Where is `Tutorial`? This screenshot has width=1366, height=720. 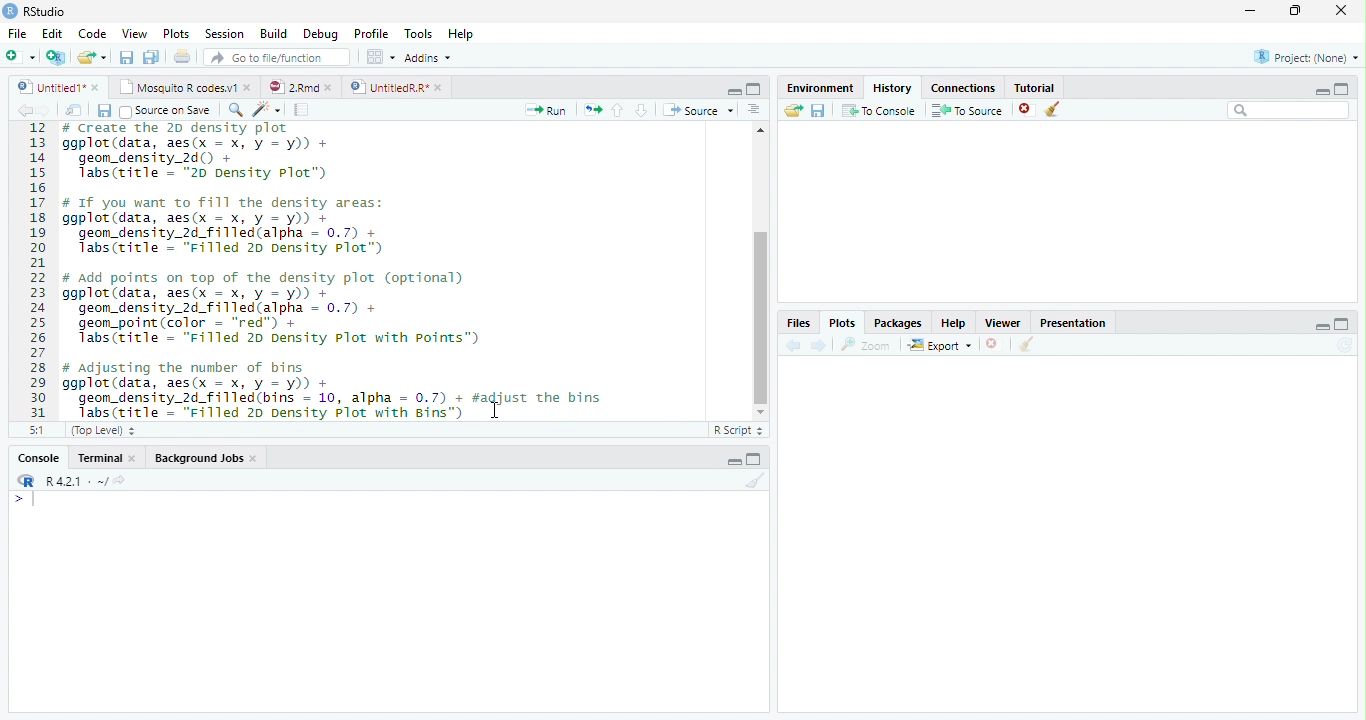
Tutorial is located at coordinates (1036, 87).